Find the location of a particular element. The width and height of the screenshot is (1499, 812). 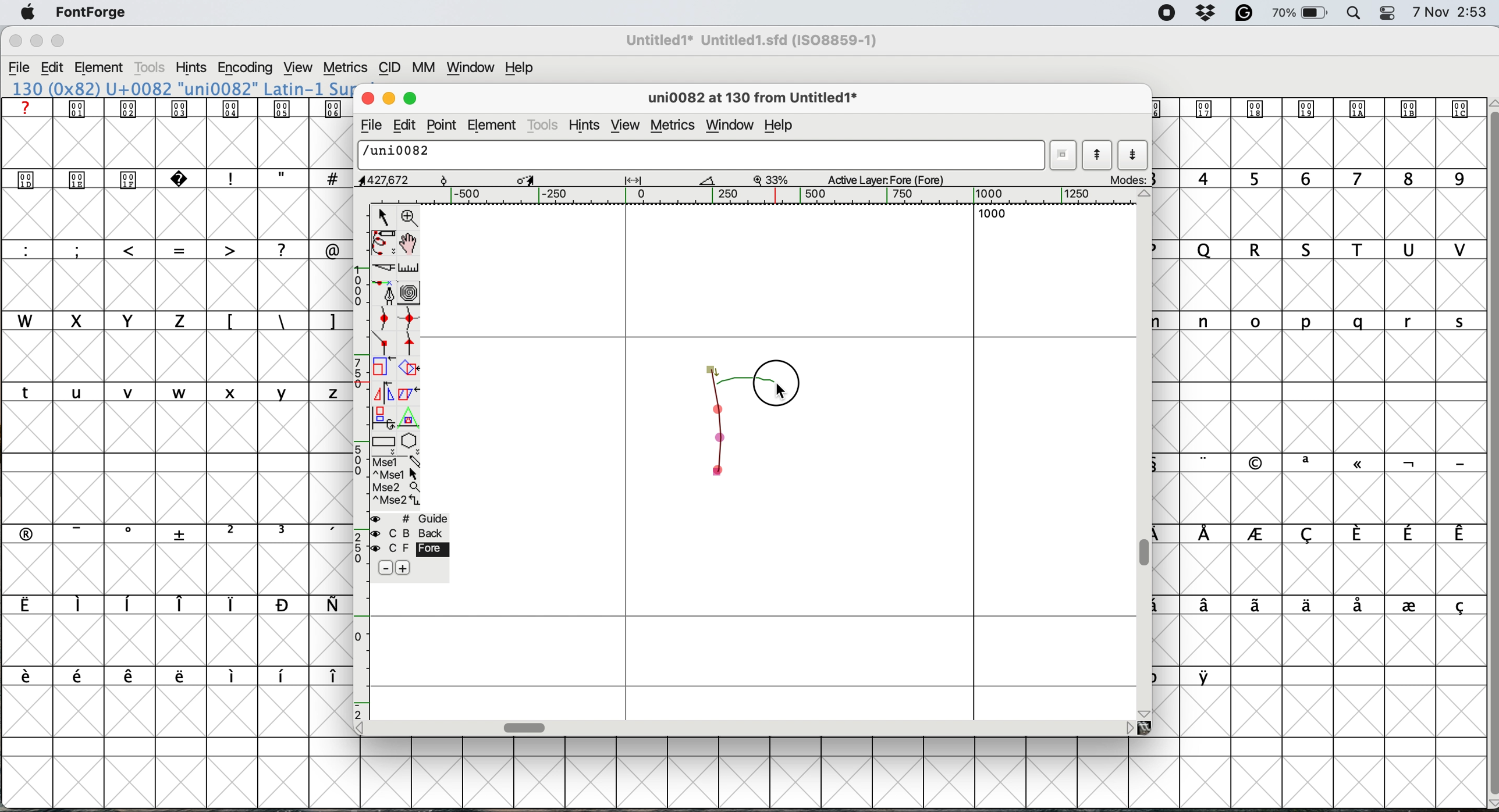

add a point then drag out its control points is located at coordinates (385, 294).